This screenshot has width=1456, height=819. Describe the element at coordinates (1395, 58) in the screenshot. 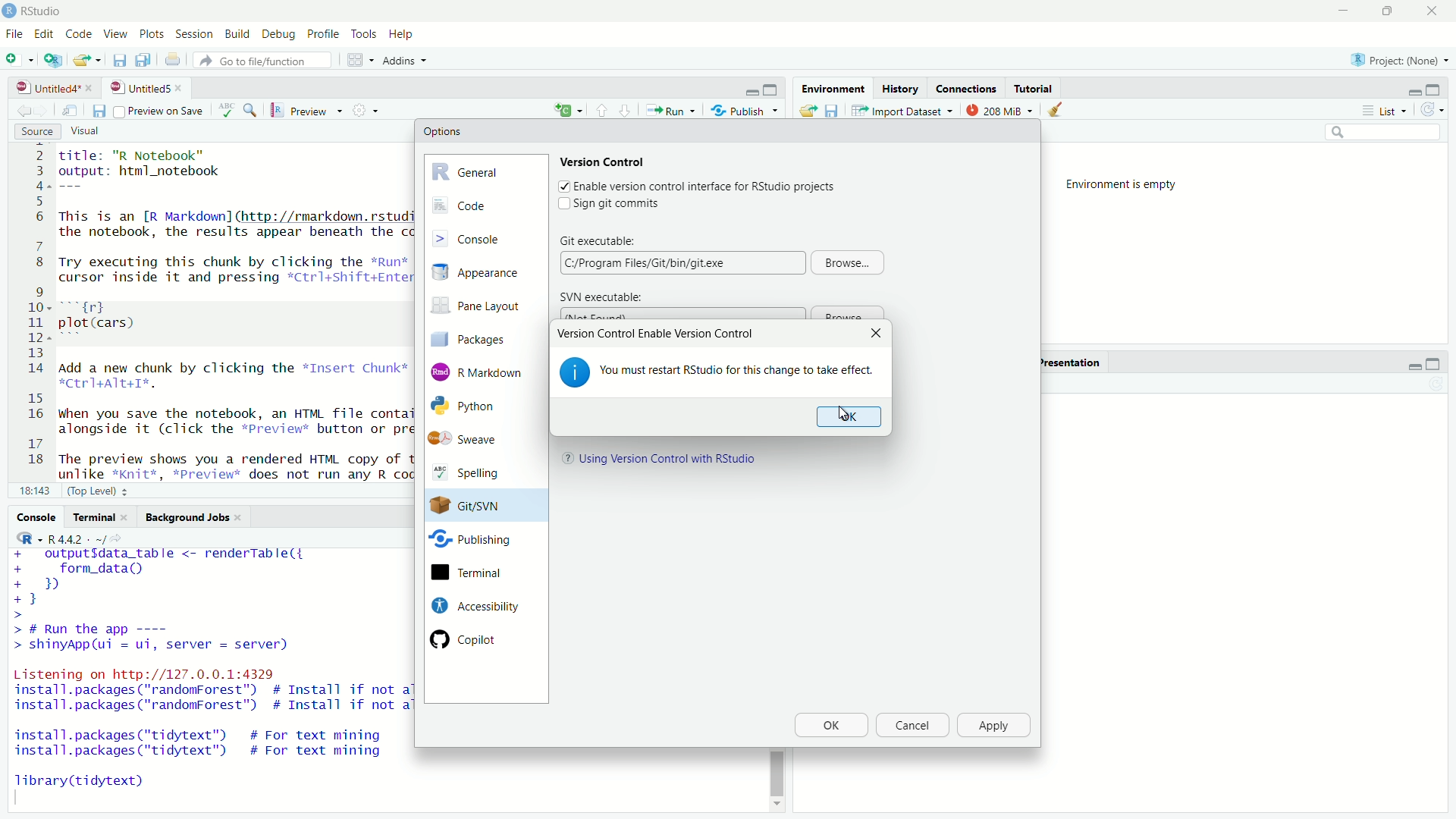

I see `Project: (None) ` at that location.